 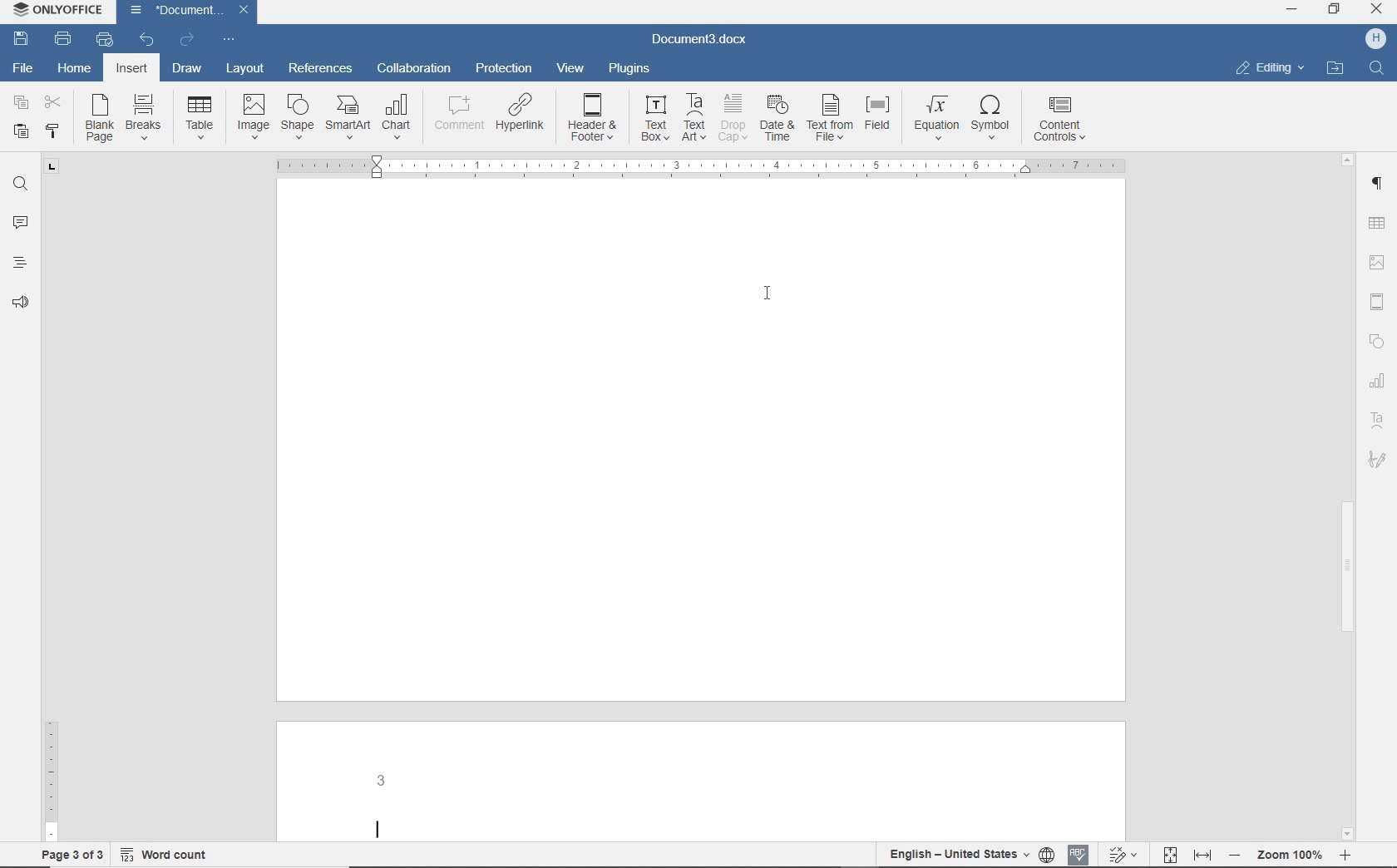 I want to click on TEXT FROM FILE, so click(x=831, y=118).